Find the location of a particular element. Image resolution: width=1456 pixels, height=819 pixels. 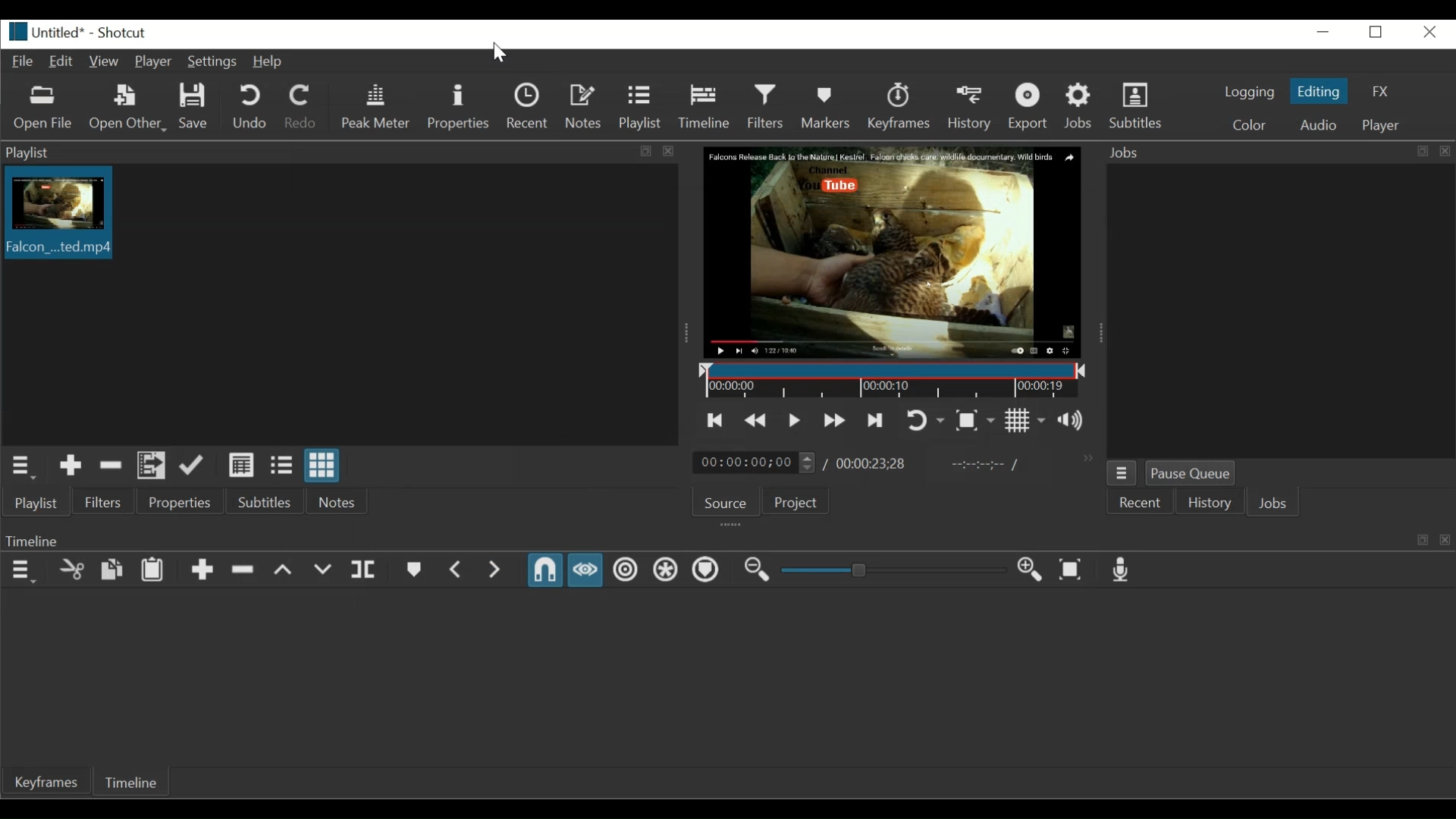

In point is located at coordinates (982, 465).